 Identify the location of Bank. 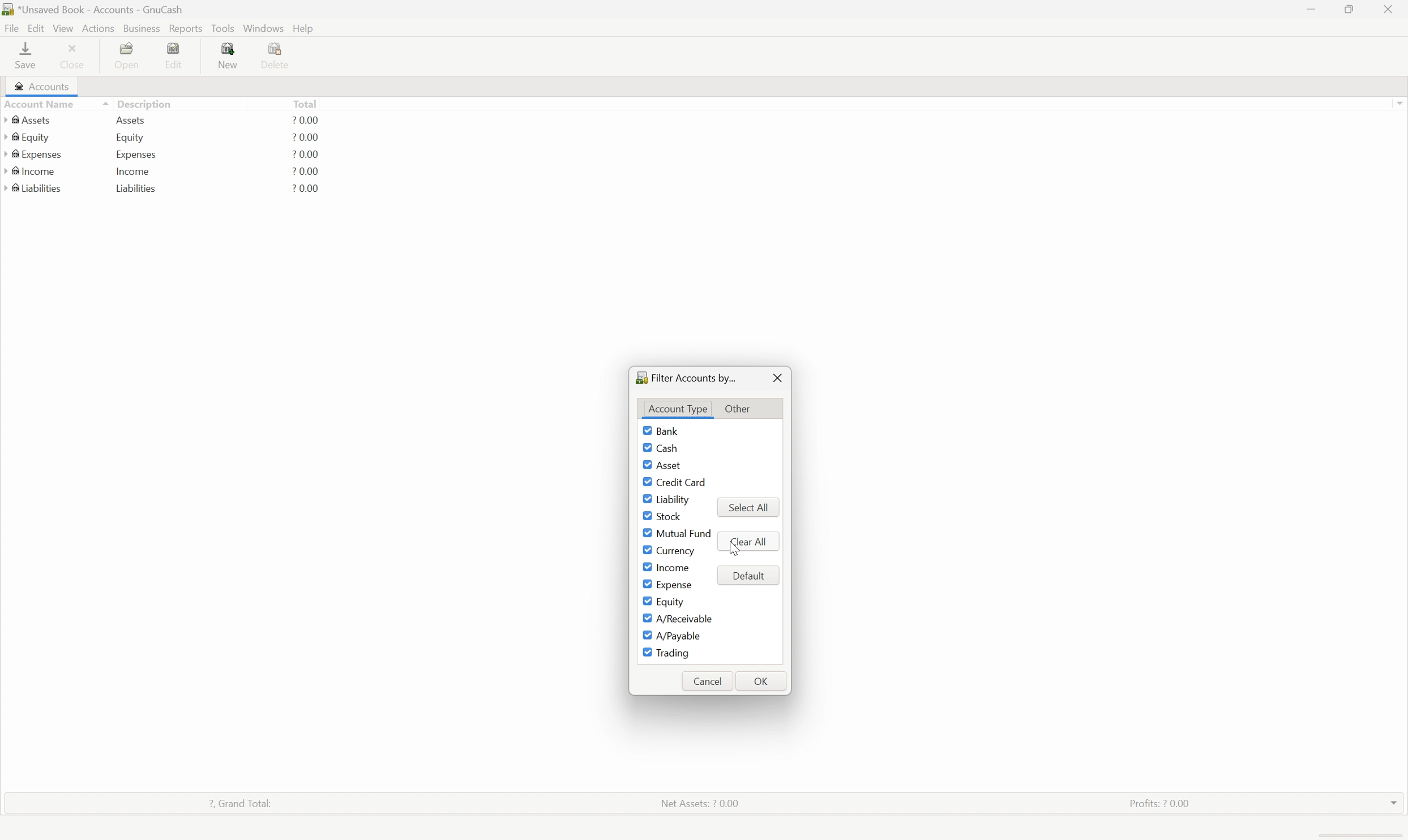
(668, 431).